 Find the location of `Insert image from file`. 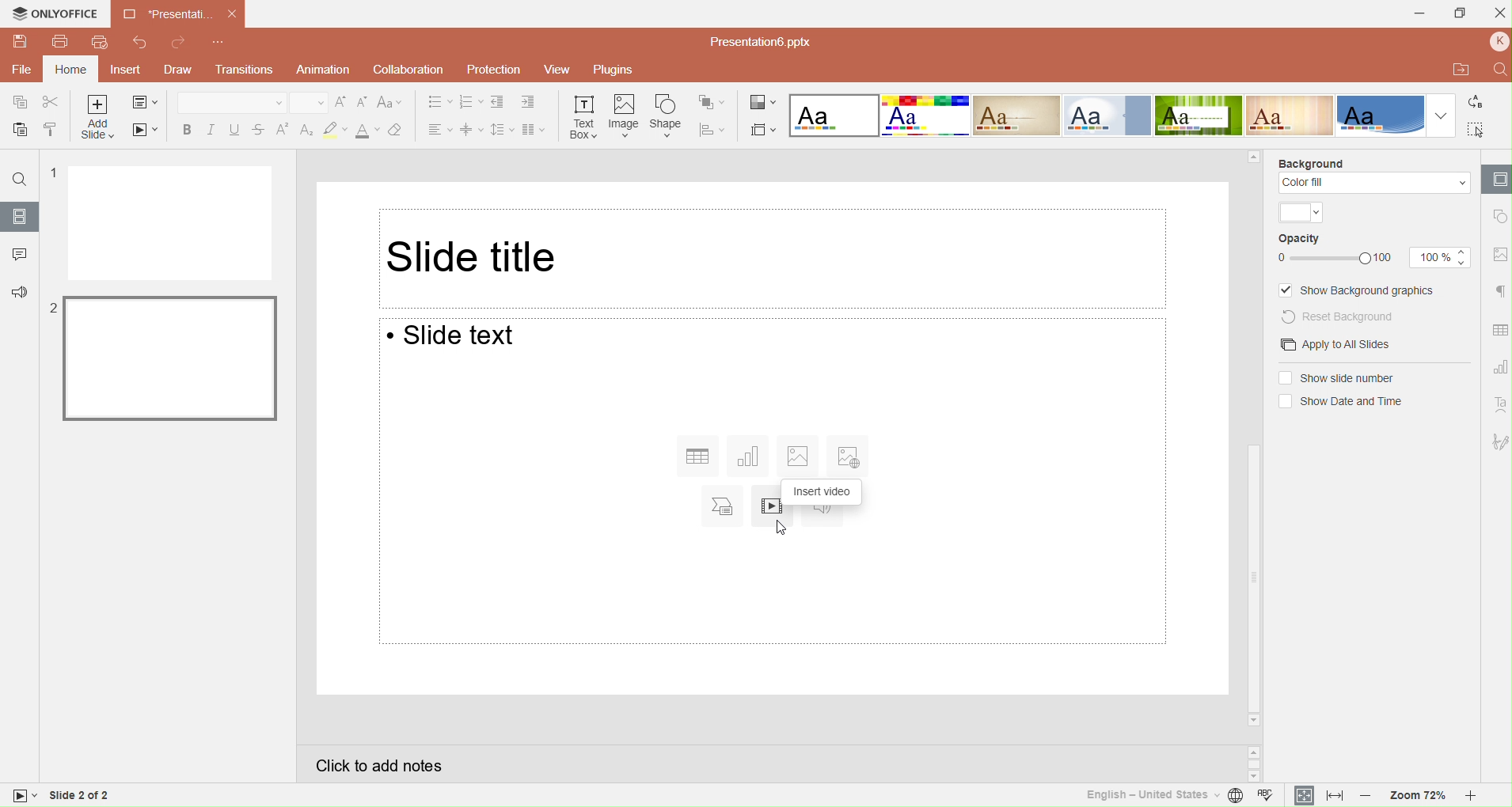

Insert image from file is located at coordinates (800, 457).